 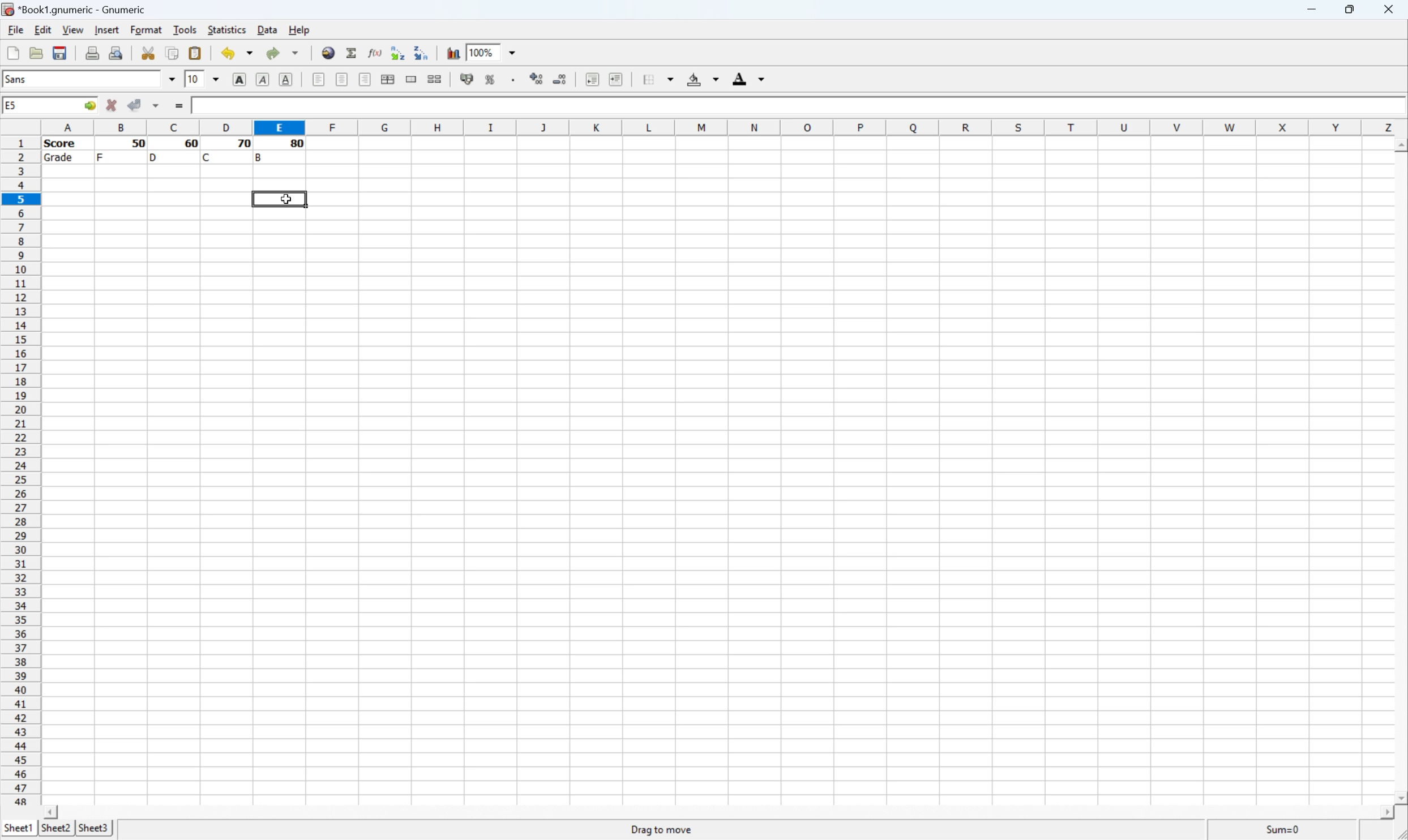 What do you see at coordinates (63, 144) in the screenshot?
I see `Score` at bounding box center [63, 144].